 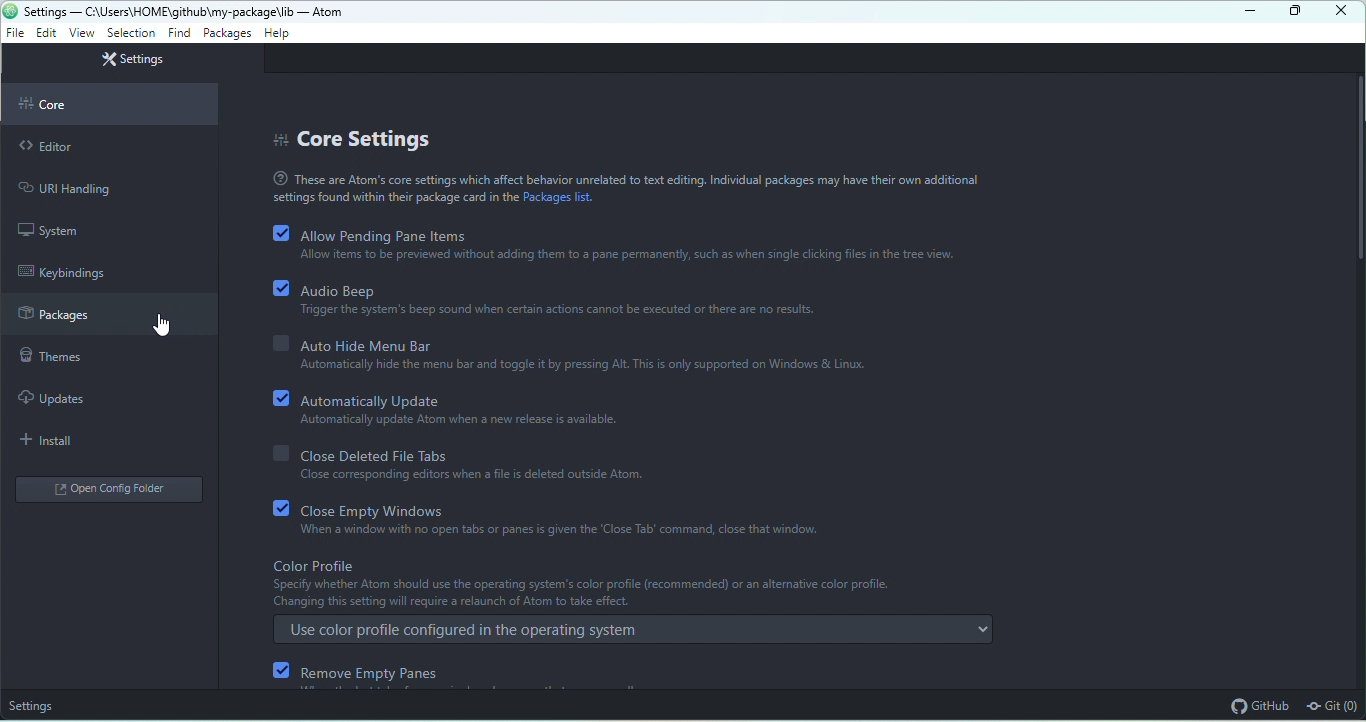 What do you see at coordinates (316, 565) in the screenshot?
I see `color profile` at bounding box center [316, 565].